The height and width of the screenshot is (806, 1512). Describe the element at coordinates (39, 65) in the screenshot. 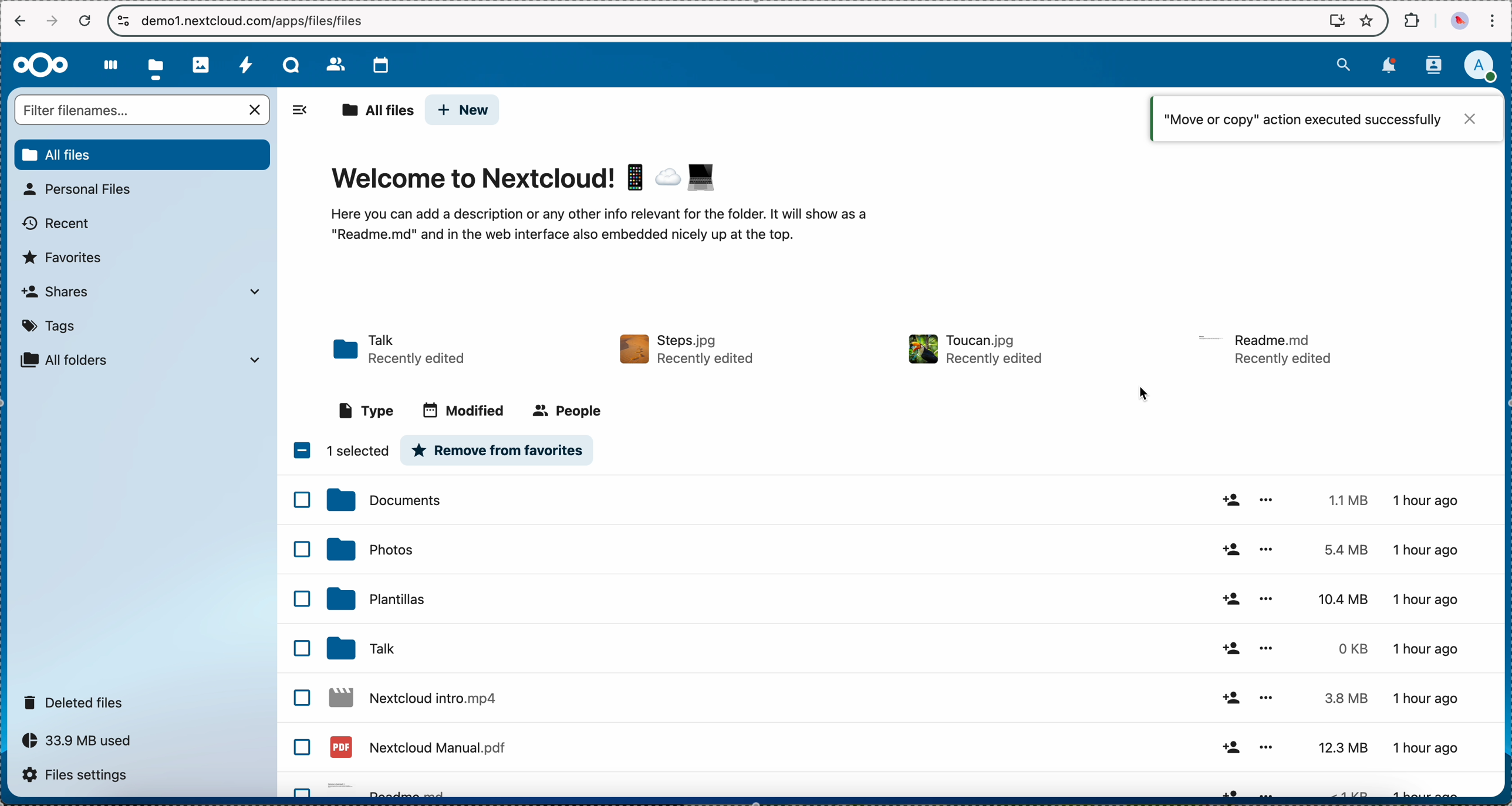

I see `Nextcloud logo` at that location.